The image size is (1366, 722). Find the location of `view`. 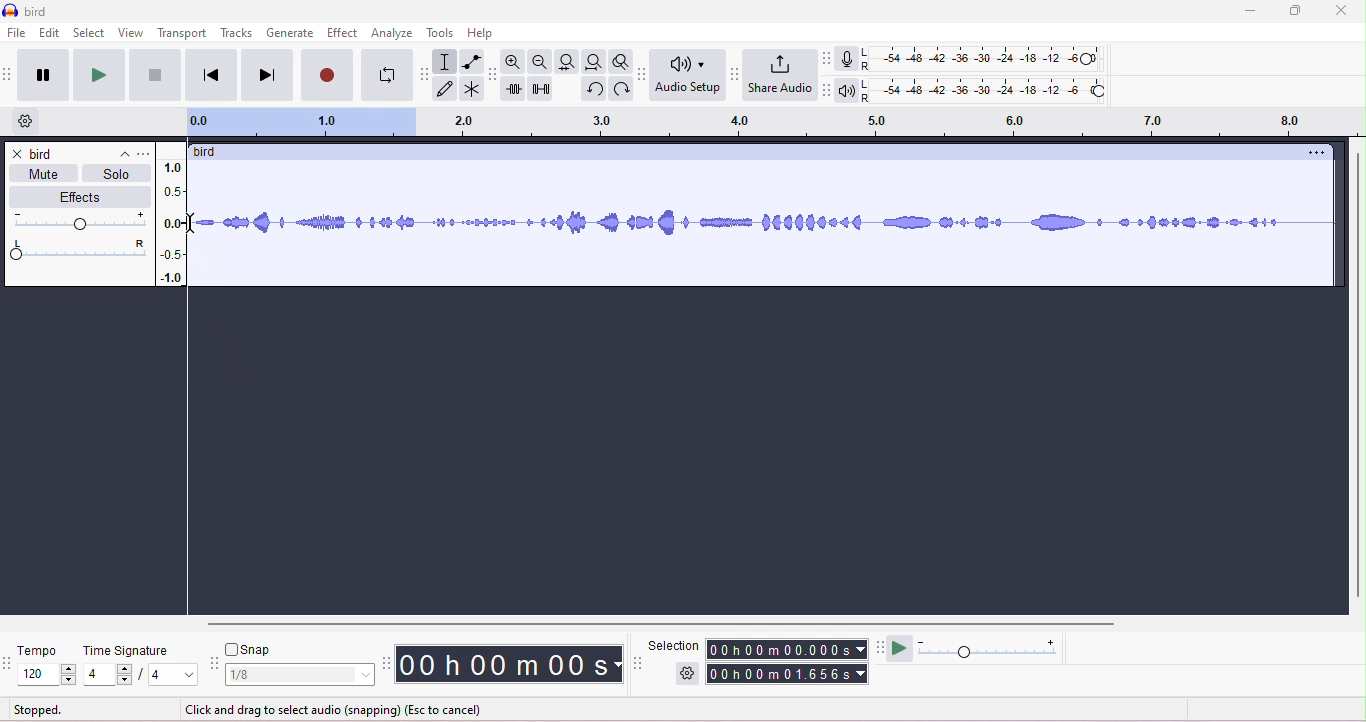

view is located at coordinates (130, 33).